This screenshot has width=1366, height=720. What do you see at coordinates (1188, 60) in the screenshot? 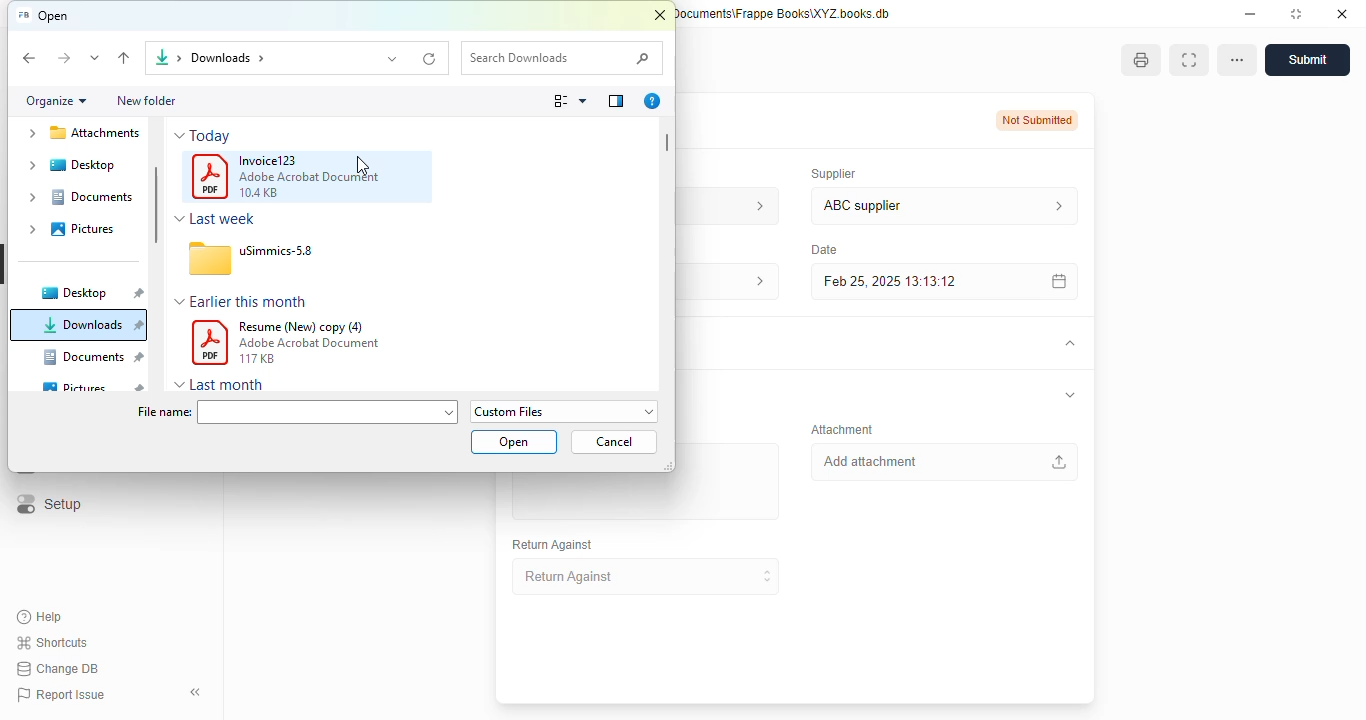
I see `toggle between form and full width` at bounding box center [1188, 60].